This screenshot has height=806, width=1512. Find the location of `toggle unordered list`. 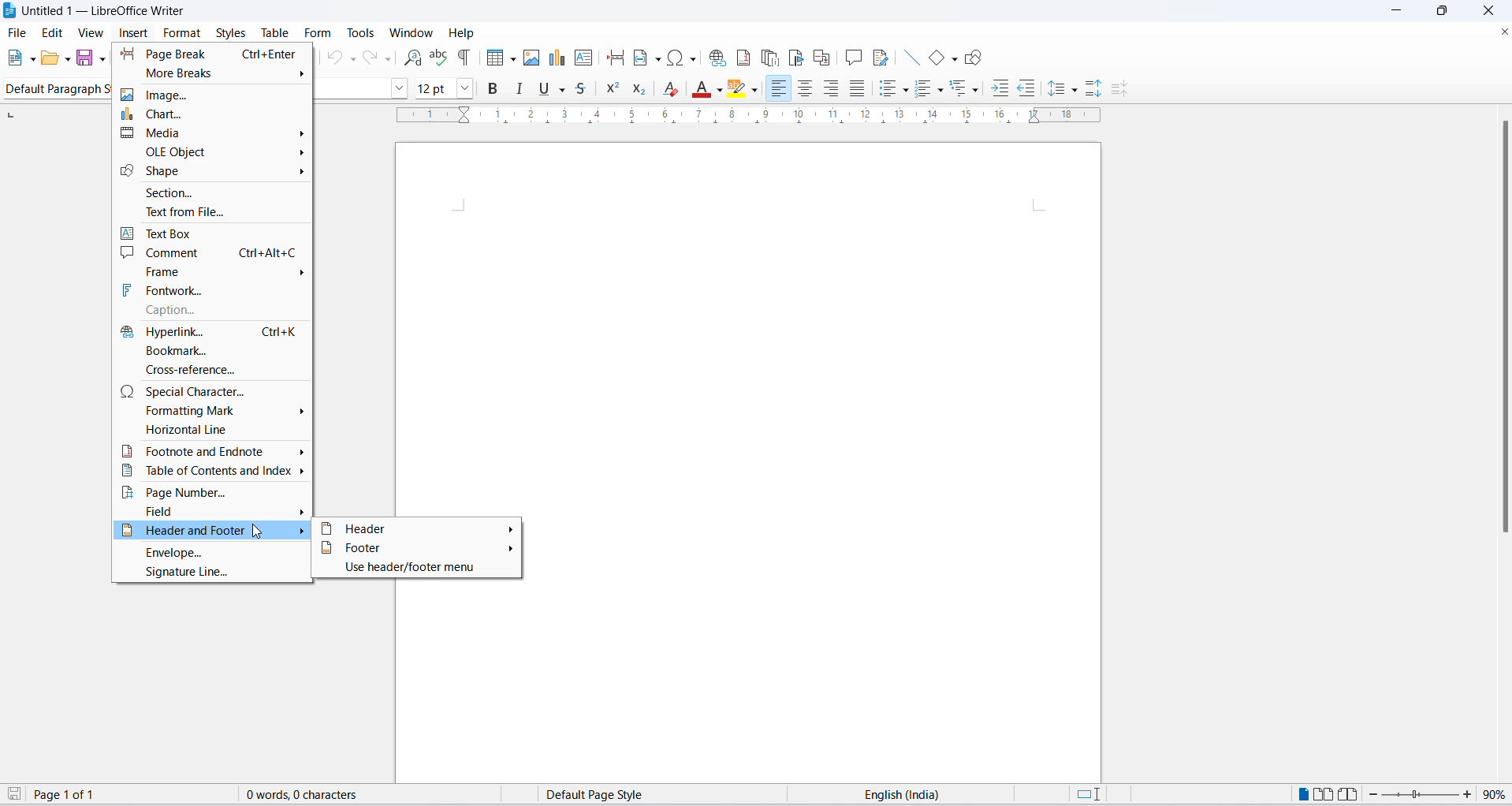

toggle unordered list is located at coordinates (884, 89).